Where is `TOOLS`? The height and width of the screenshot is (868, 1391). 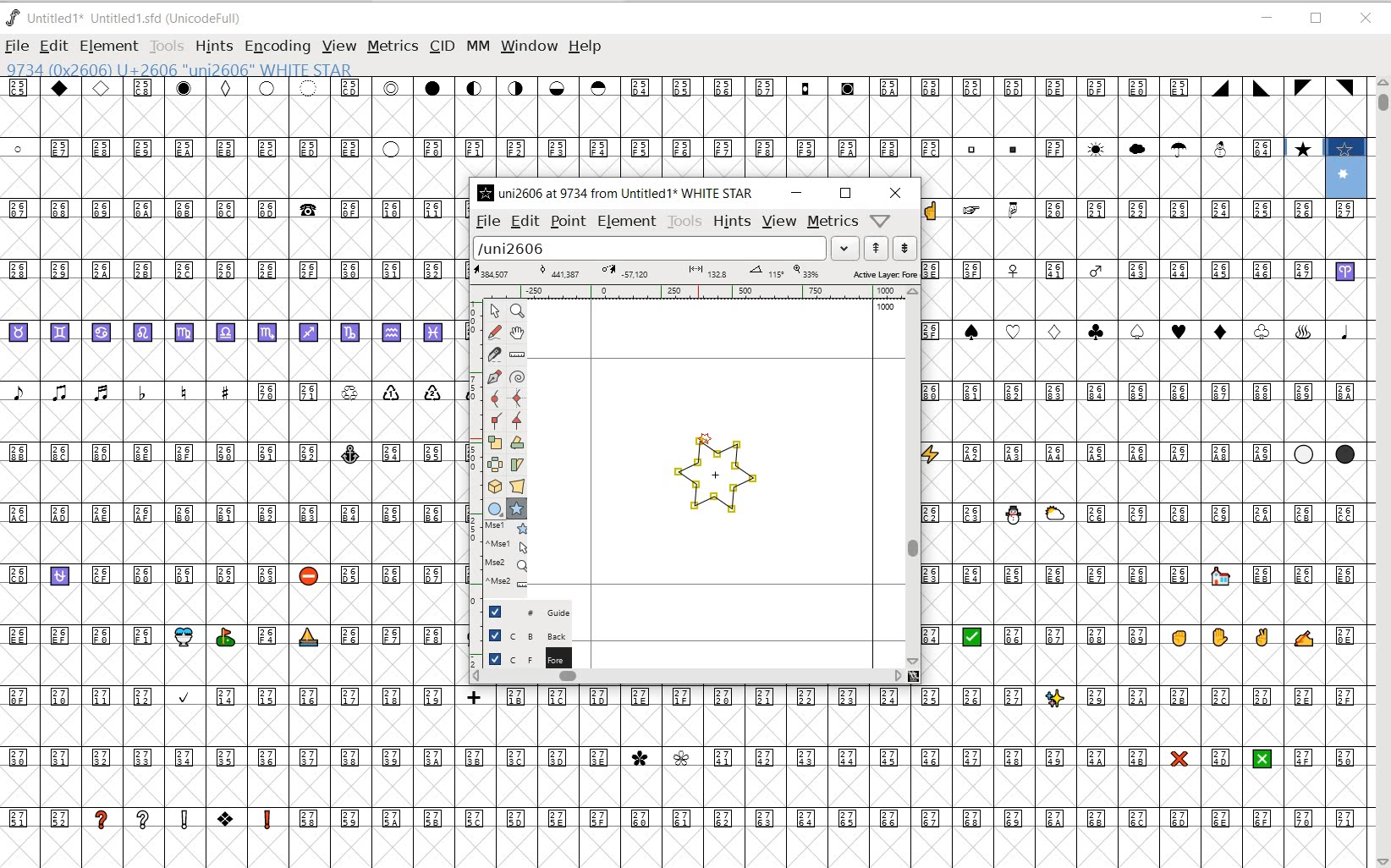 TOOLS is located at coordinates (684, 222).